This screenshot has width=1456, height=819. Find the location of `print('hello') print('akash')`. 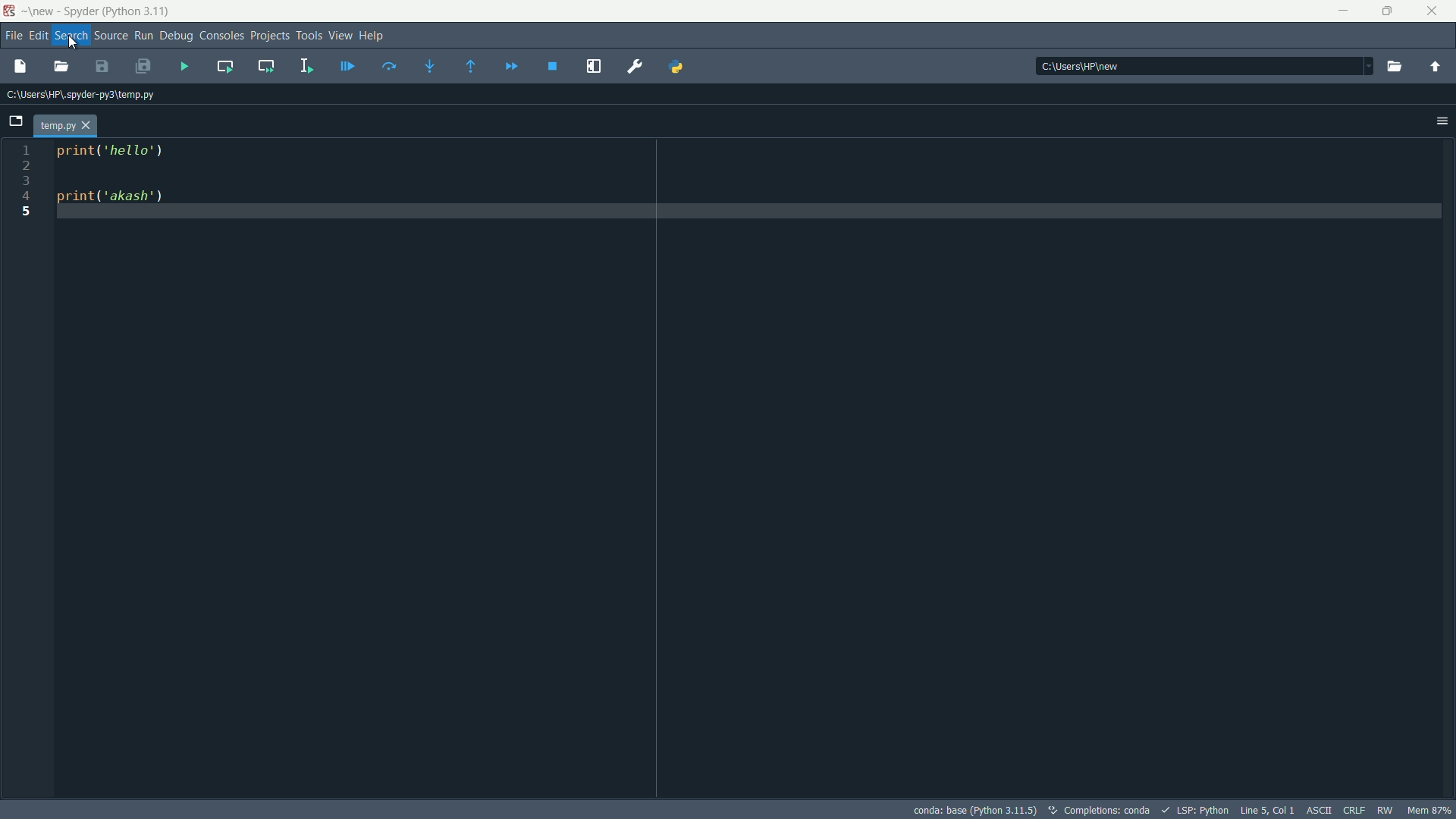

print('hello') print('akash') is located at coordinates (755, 469).